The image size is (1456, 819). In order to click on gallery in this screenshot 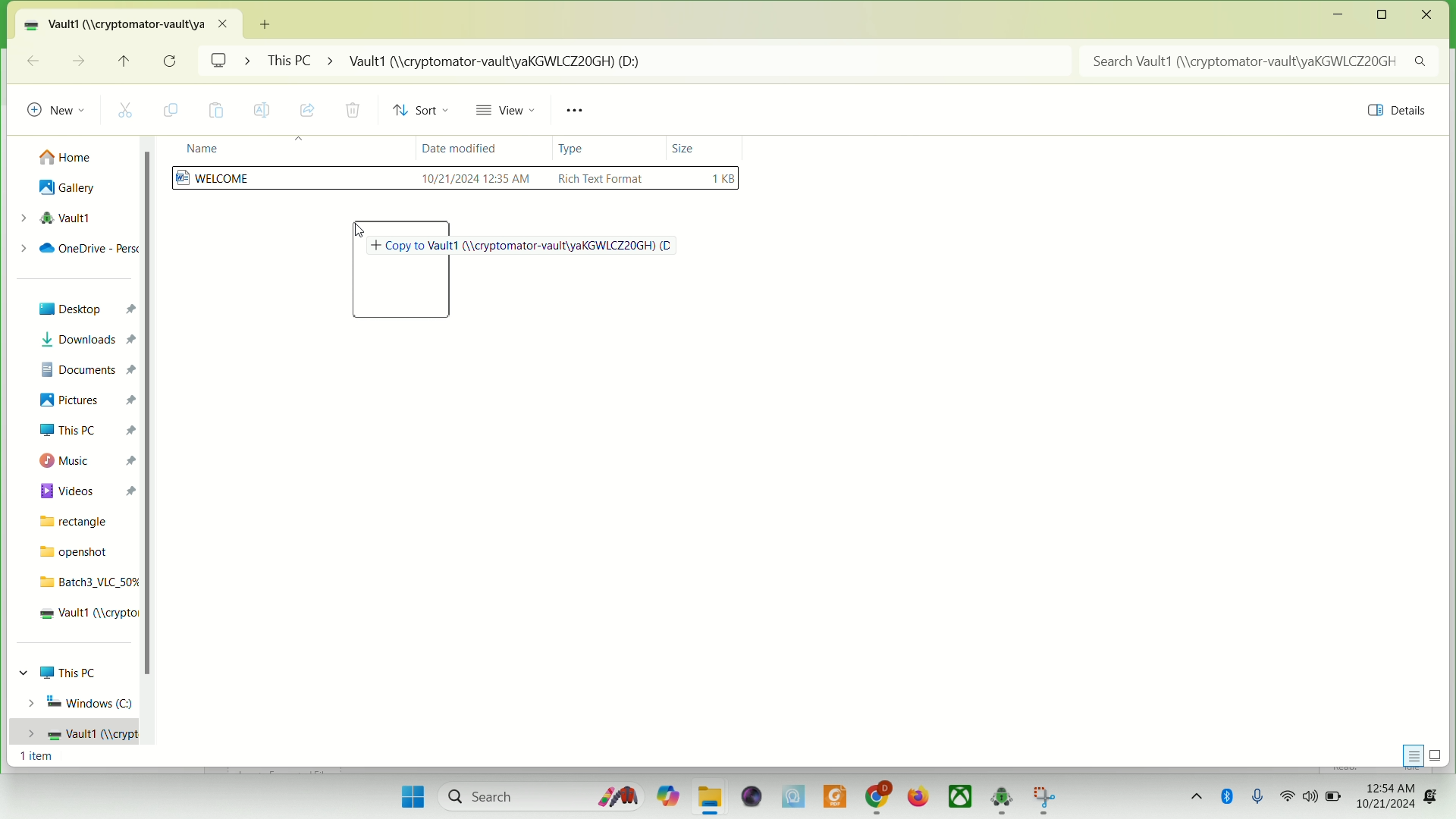, I will do `click(67, 189)`.